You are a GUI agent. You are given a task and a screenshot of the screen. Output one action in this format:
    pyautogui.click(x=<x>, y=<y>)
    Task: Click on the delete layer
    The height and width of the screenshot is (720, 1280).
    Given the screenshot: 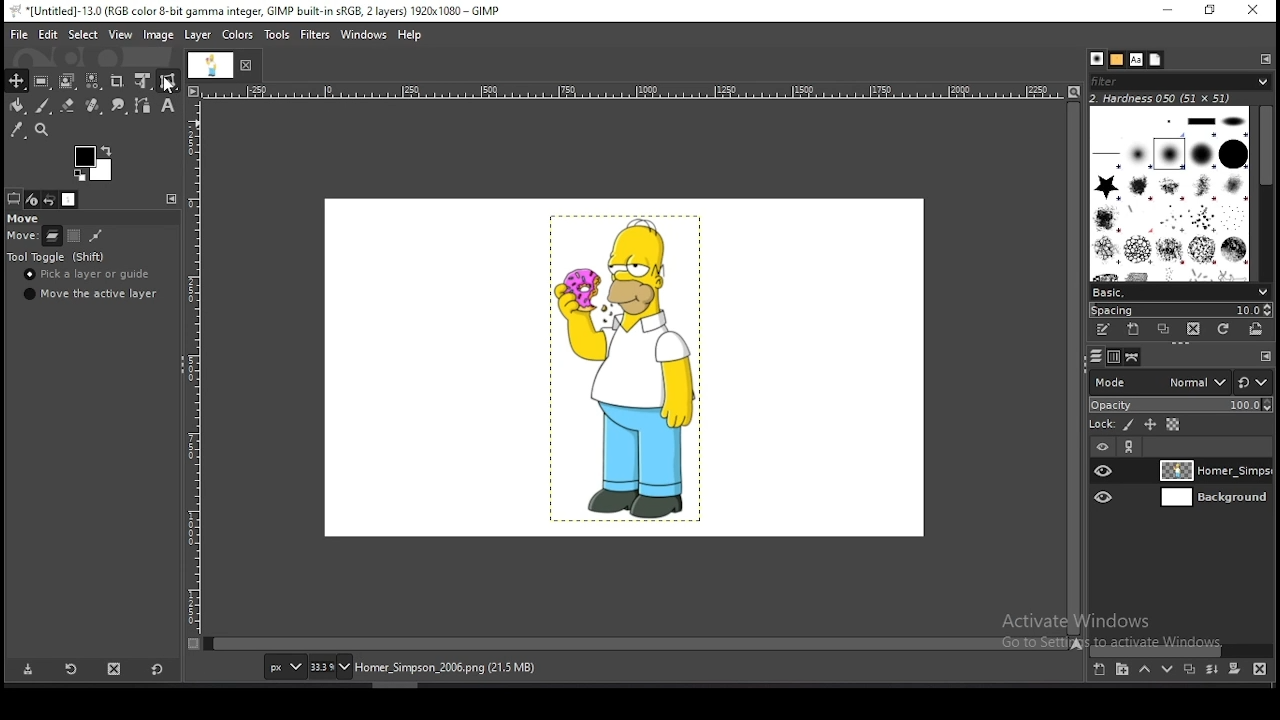 What is the action you would take?
    pyautogui.click(x=1257, y=669)
    